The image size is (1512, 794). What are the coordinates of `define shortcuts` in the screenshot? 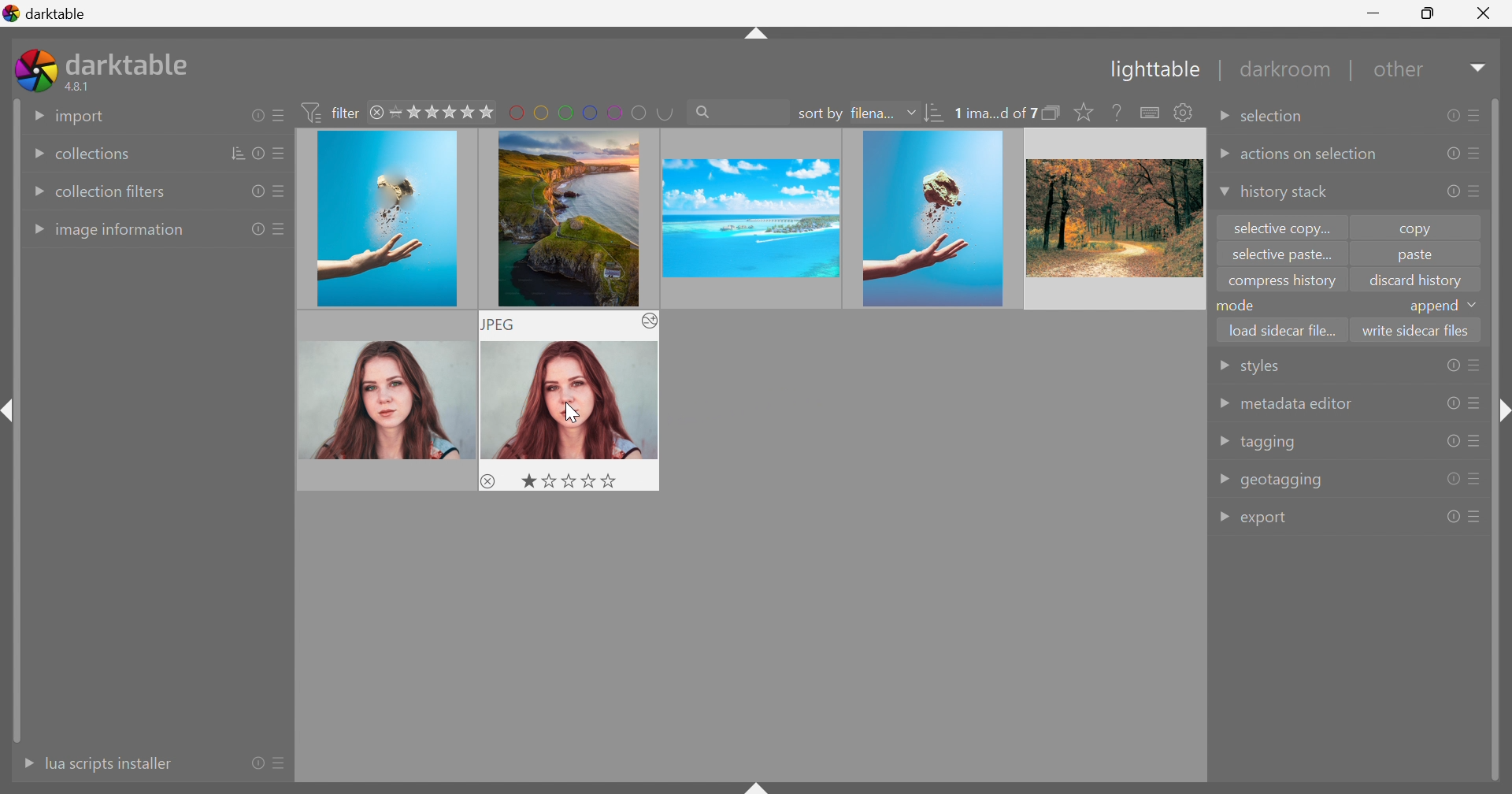 It's located at (1151, 113).